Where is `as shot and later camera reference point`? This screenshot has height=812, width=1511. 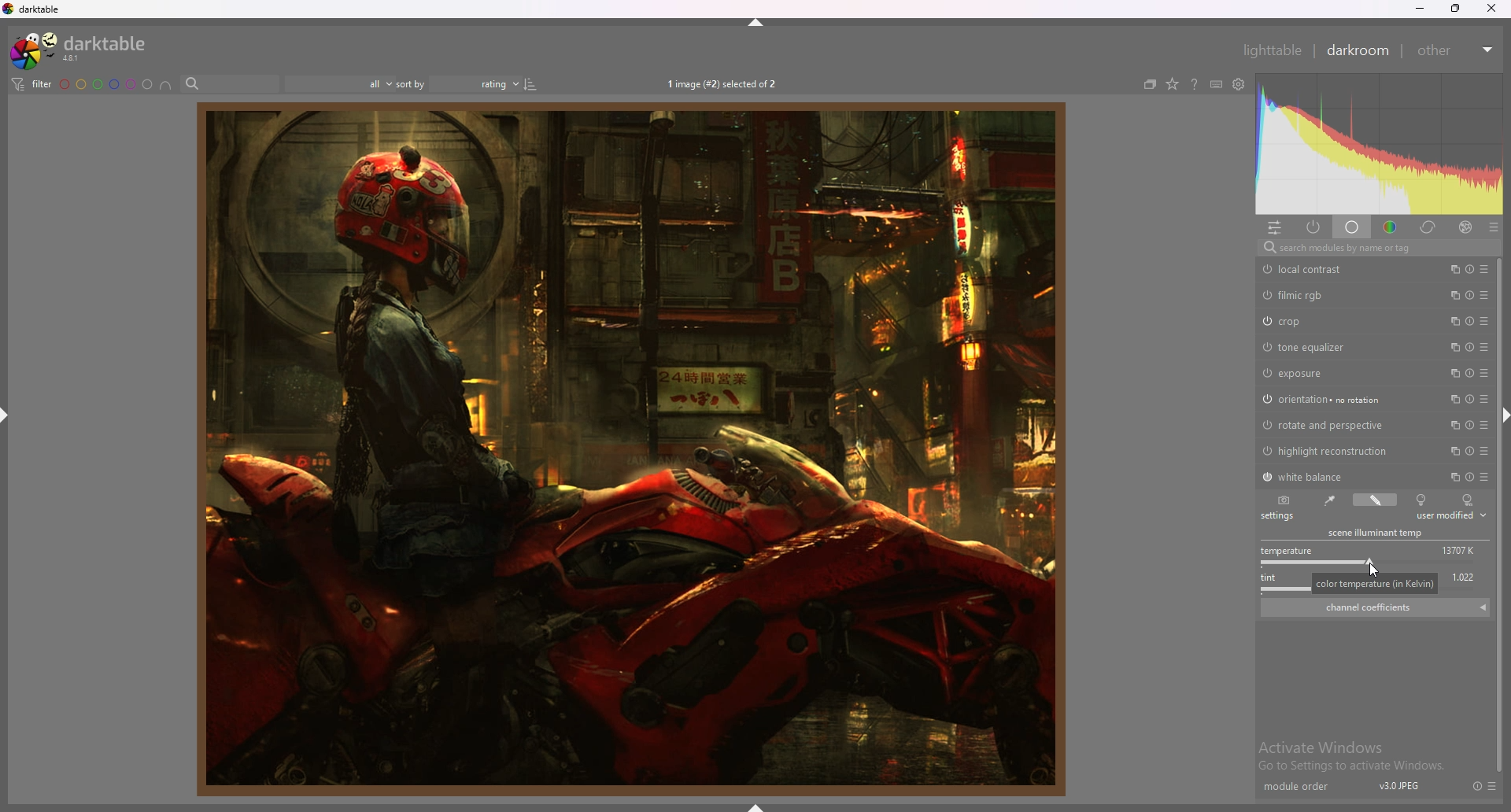 as shot and later camera reference point is located at coordinates (1468, 500).